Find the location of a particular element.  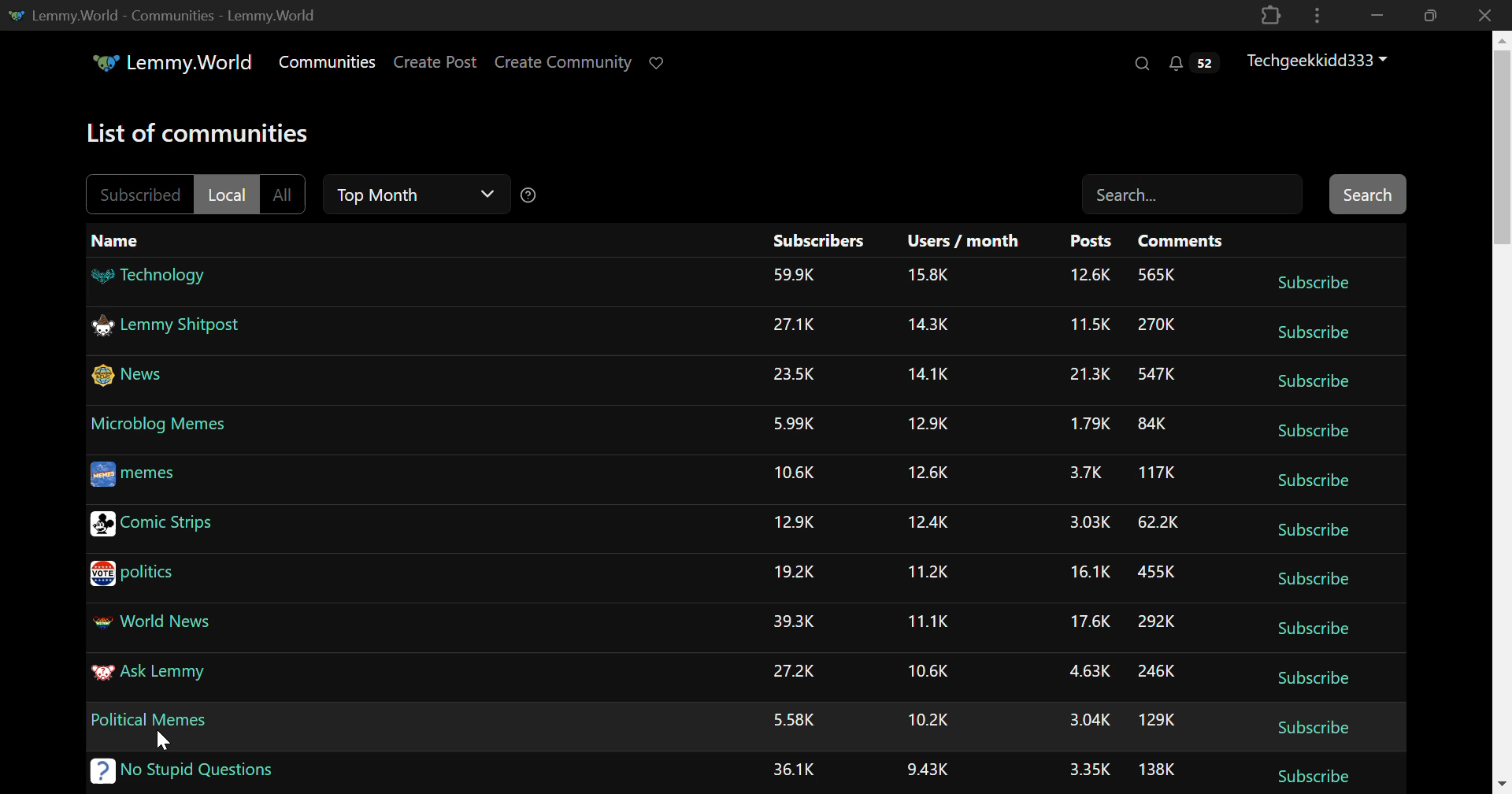

Name Column Heading is located at coordinates (122, 243).